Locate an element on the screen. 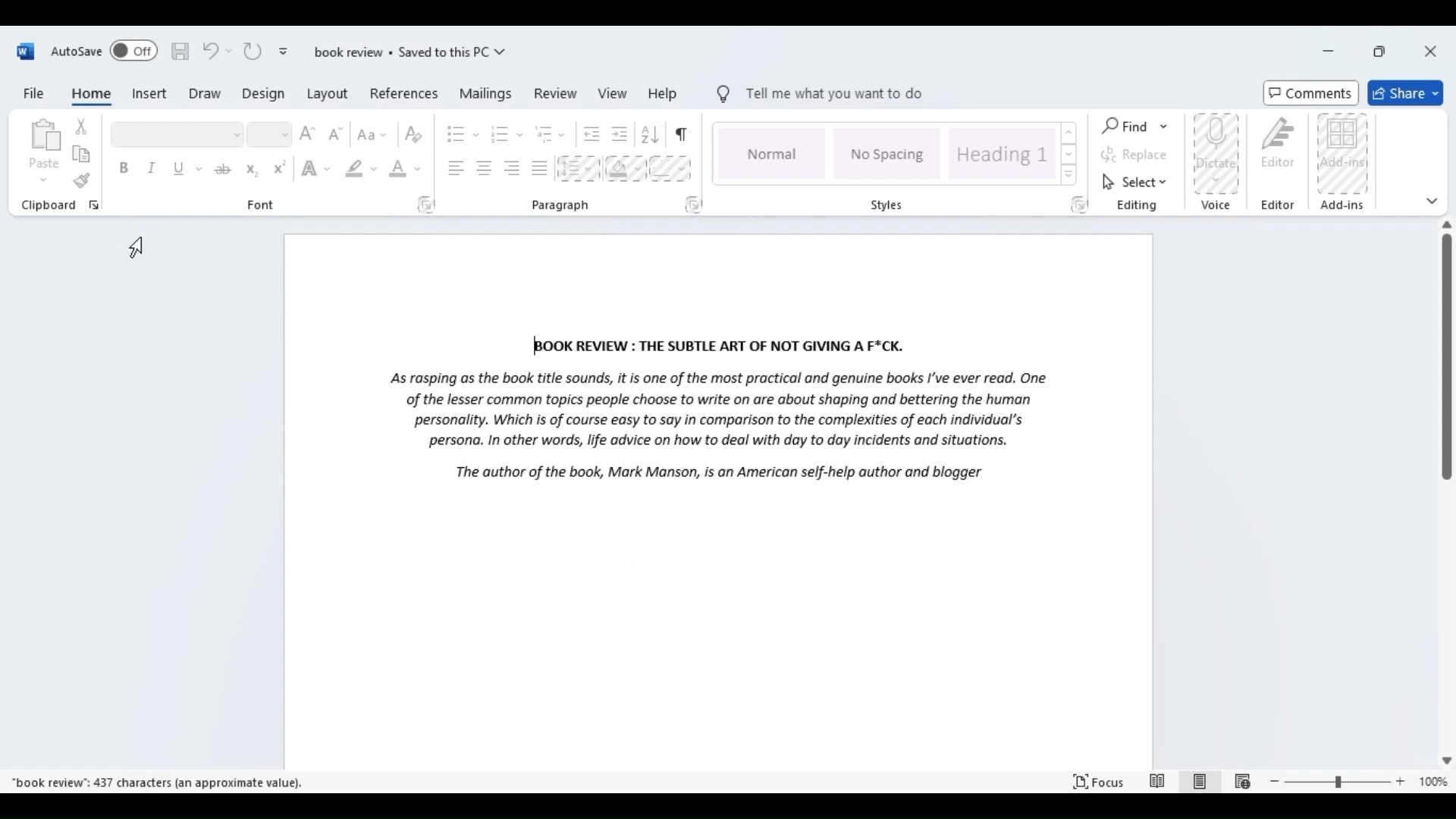 This screenshot has width=1456, height=819. font is located at coordinates (271, 165).